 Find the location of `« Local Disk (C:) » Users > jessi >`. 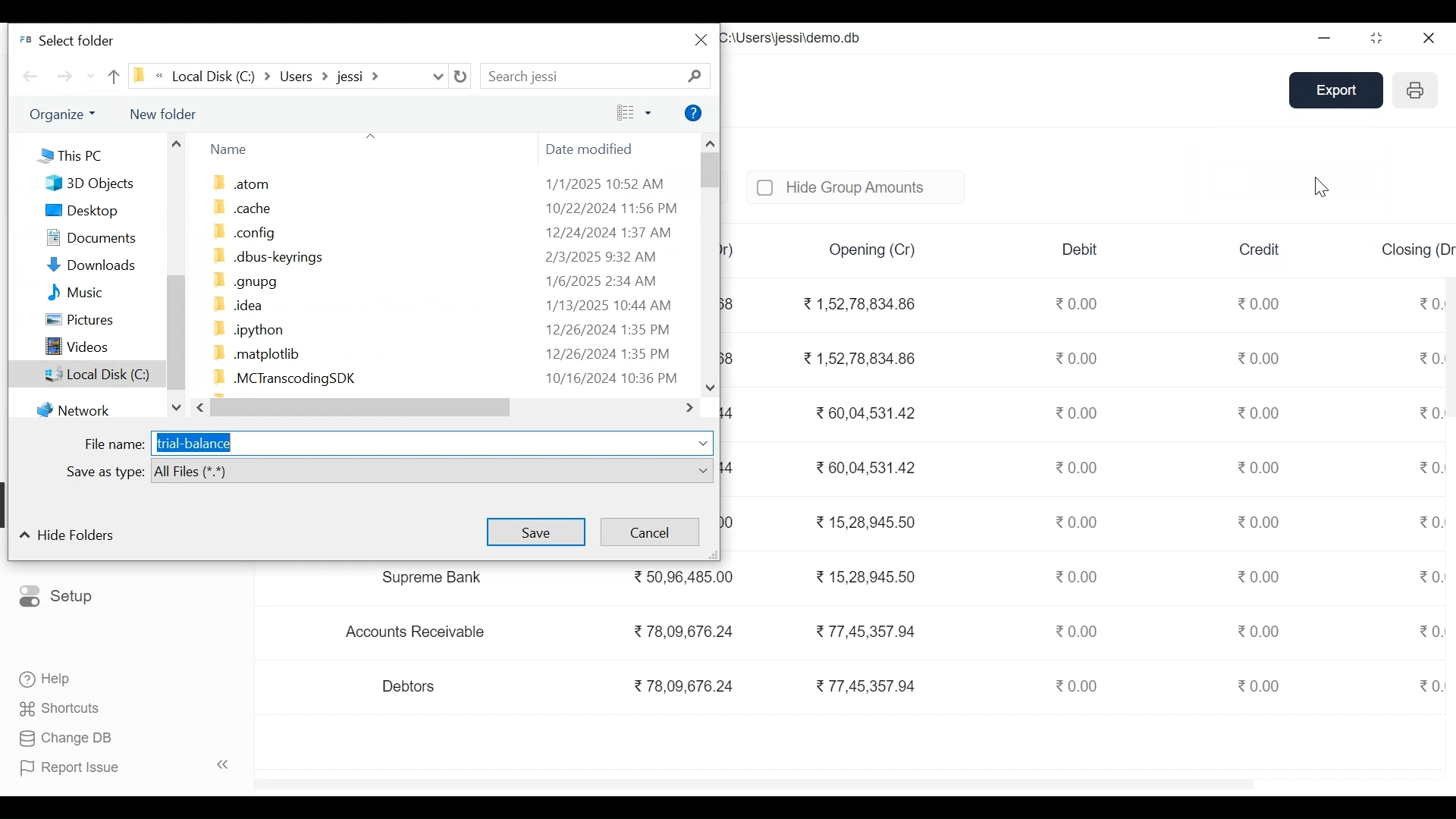

« Local Disk (C:) » Users > jessi > is located at coordinates (264, 75).